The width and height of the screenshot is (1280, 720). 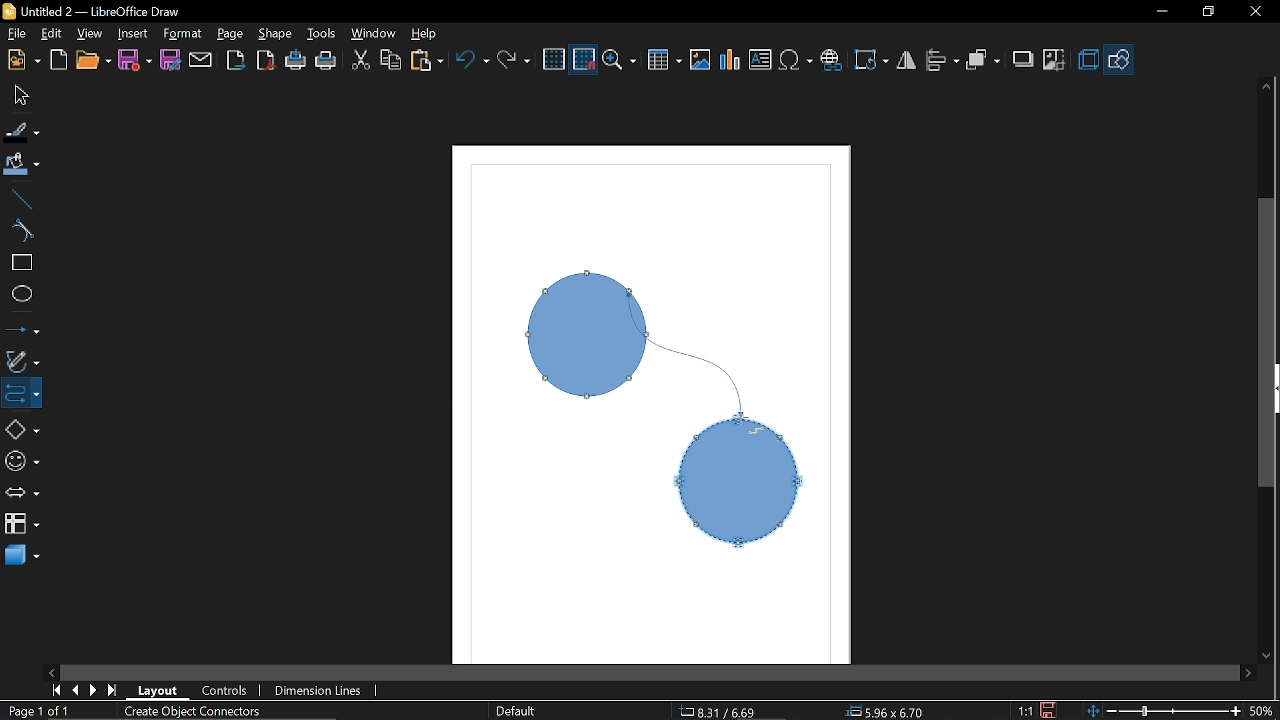 I want to click on Restore down, so click(x=1206, y=14).